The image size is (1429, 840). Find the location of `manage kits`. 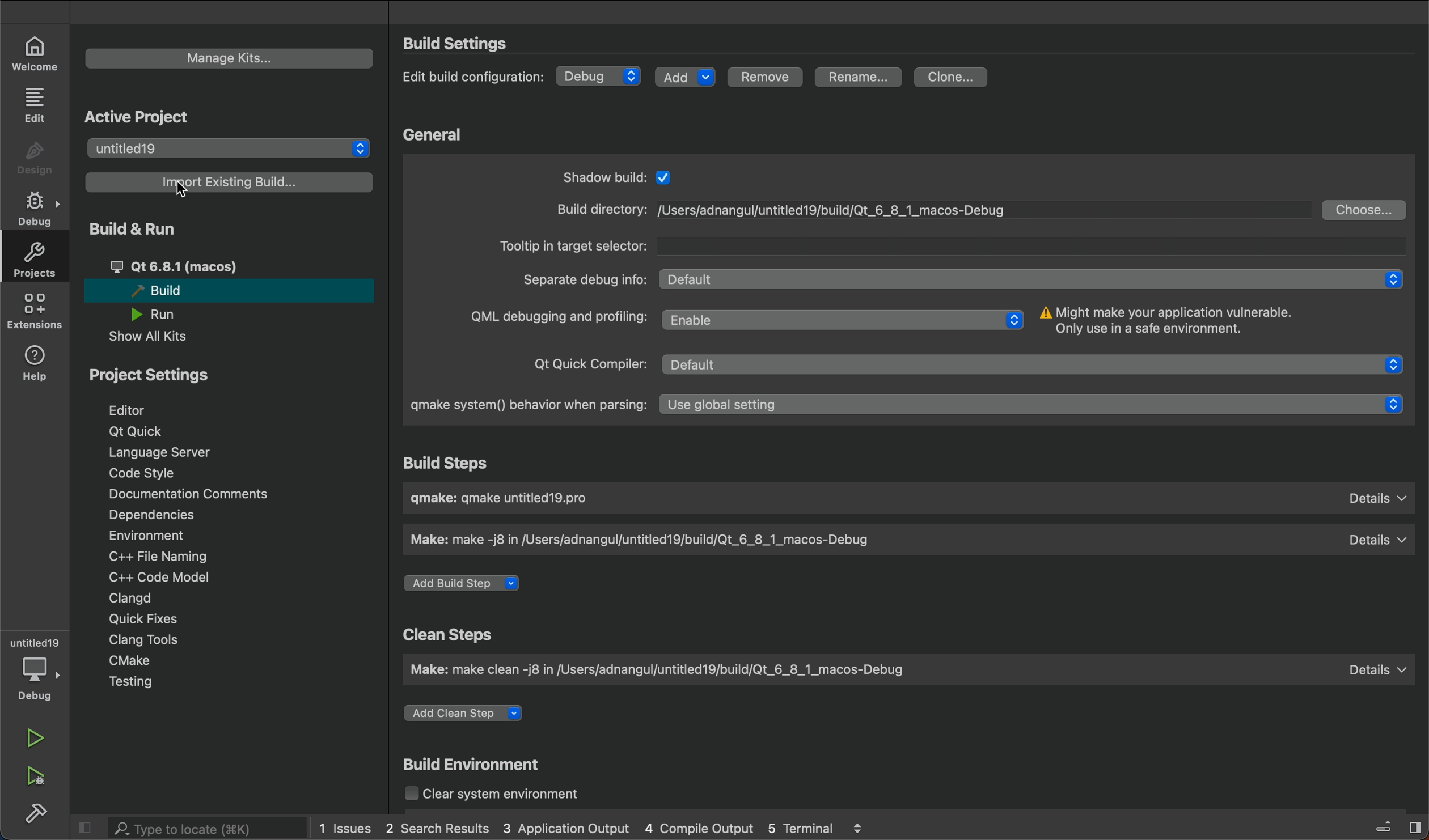

manage kits is located at coordinates (230, 58).